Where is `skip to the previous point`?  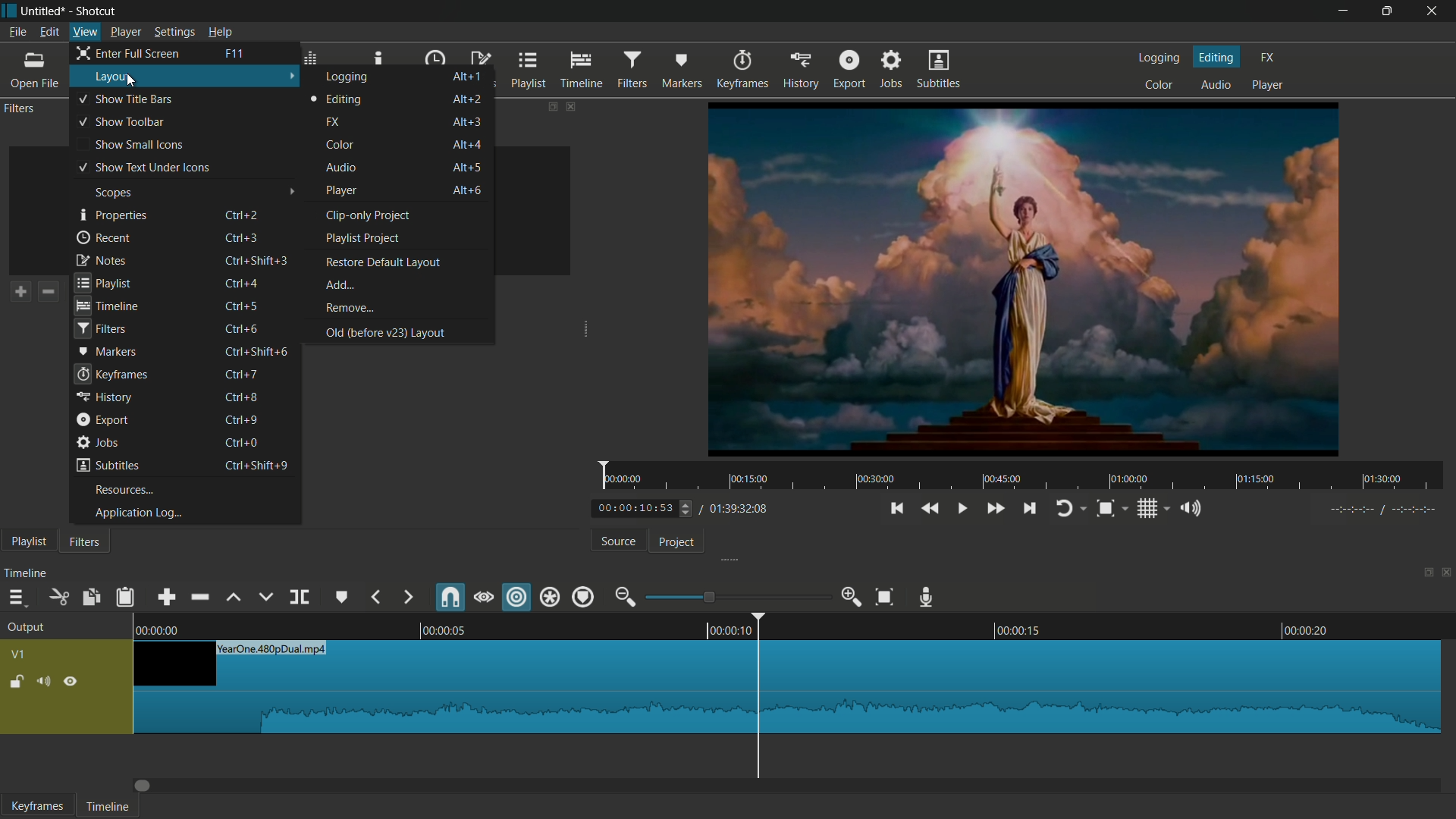 skip to the previous point is located at coordinates (896, 509).